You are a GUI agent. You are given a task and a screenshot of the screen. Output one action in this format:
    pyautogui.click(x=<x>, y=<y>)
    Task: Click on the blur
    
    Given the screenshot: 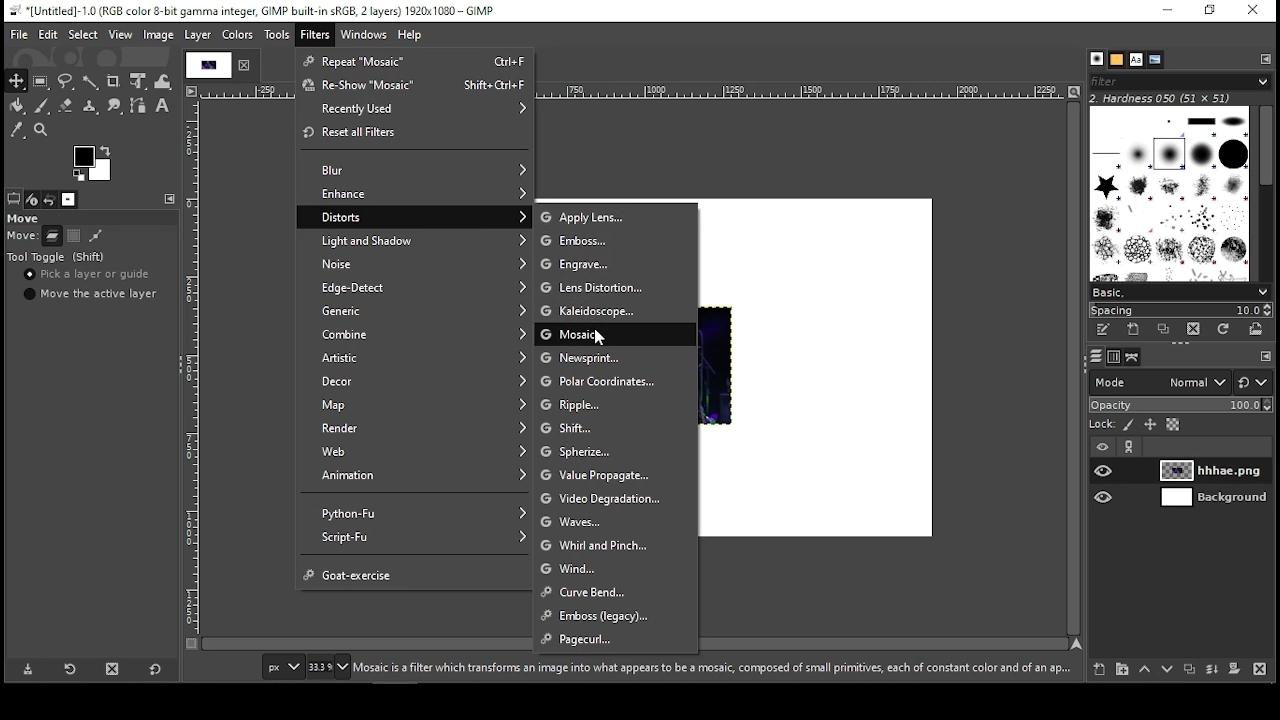 What is the action you would take?
    pyautogui.click(x=417, y=170)
    